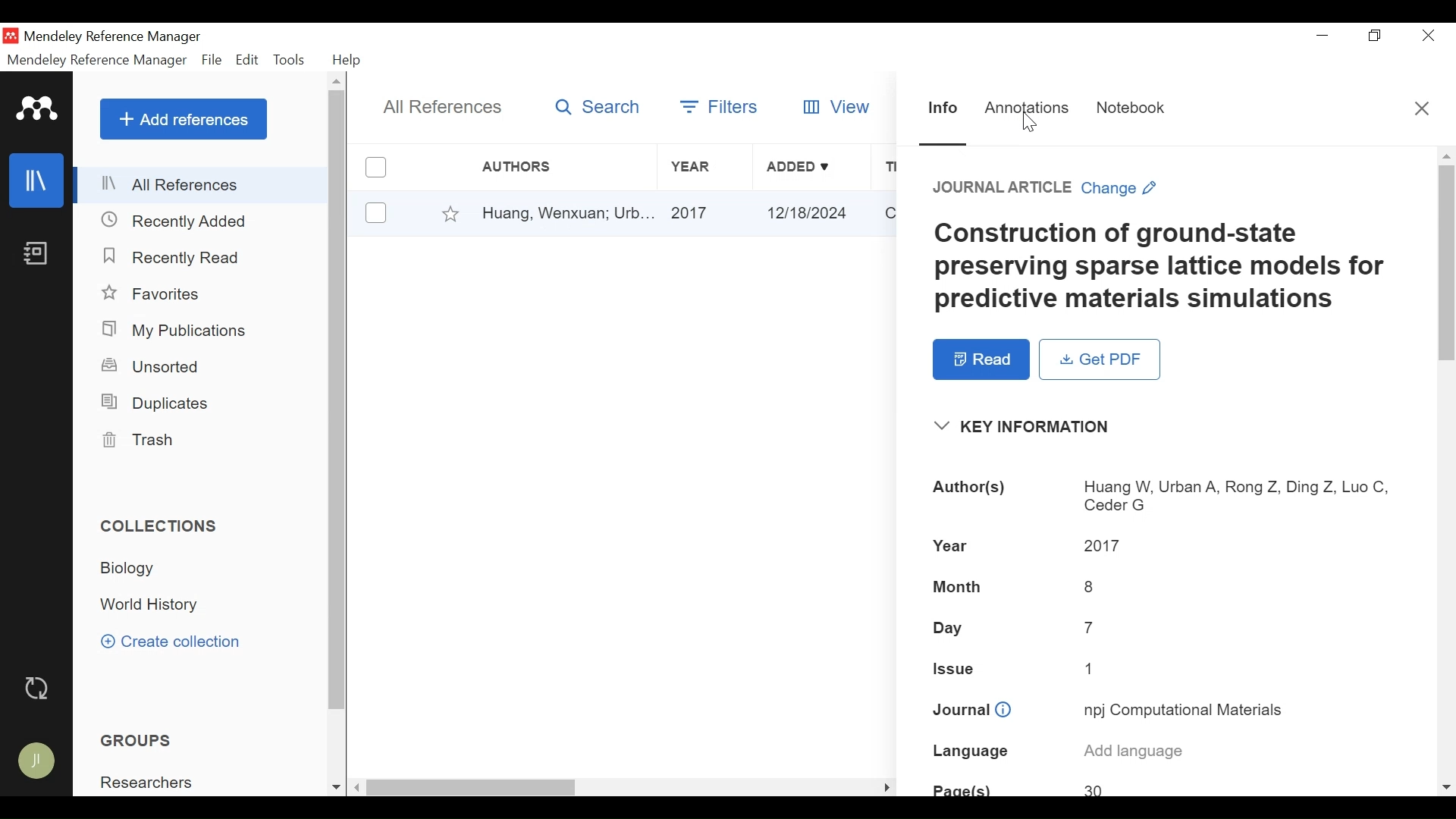  What do you see at coordinates (347, 60) in the screenshot?
I see `Help` at bounding box center [347, 60].